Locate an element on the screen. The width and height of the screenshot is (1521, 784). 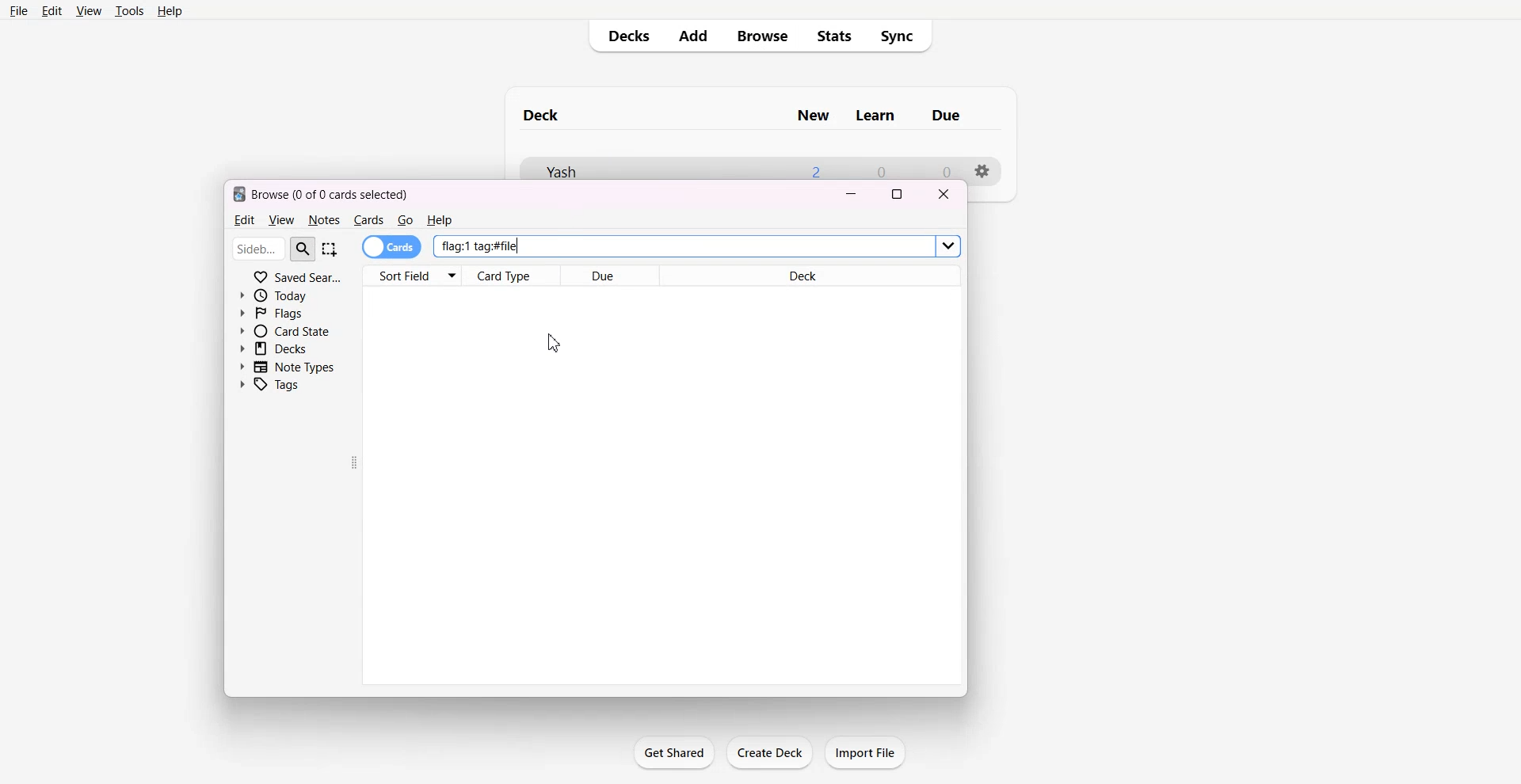
Cursor is located at coordinates (556, 342).